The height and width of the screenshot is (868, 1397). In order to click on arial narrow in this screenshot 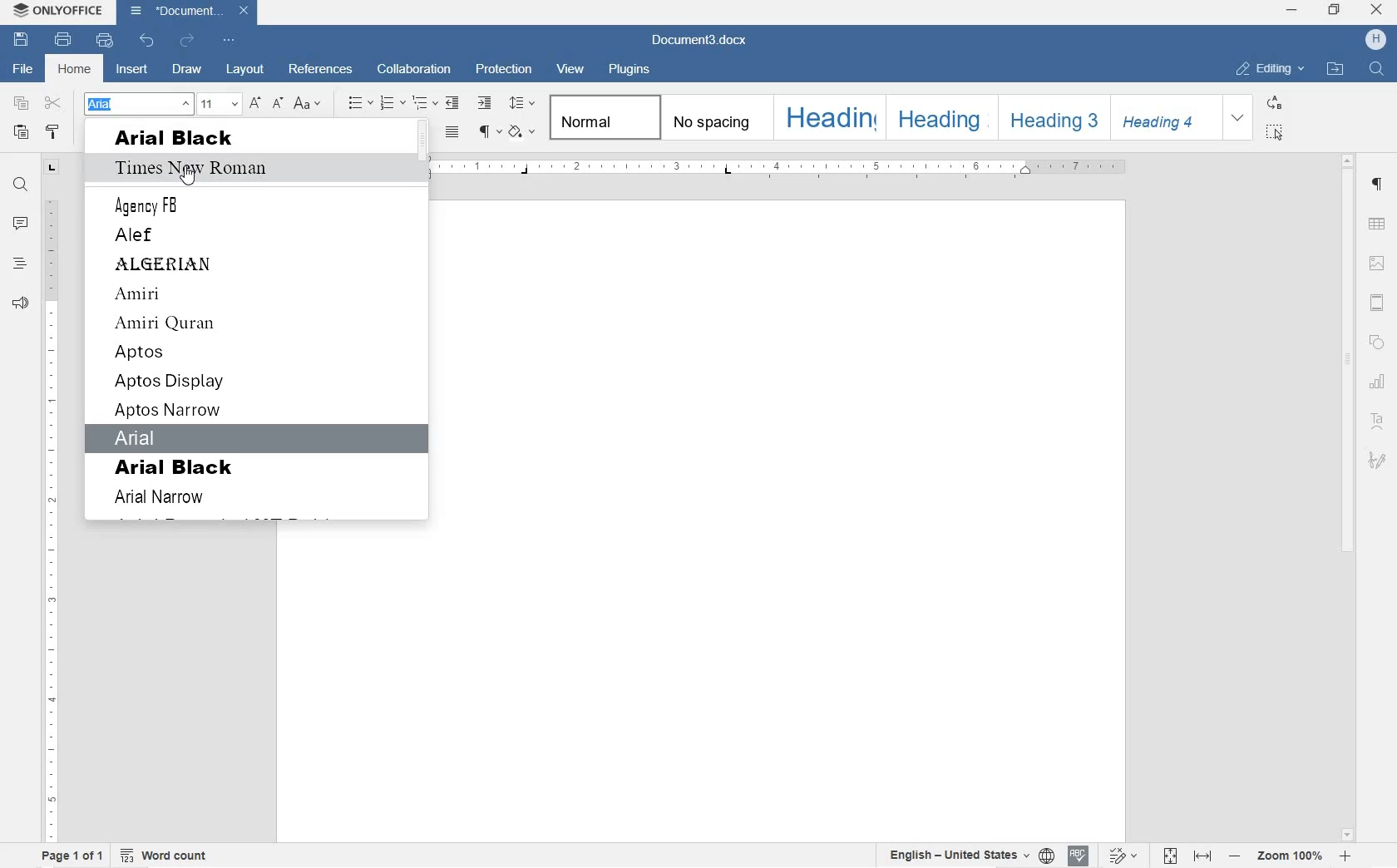, I will do `click(192, 499)`.